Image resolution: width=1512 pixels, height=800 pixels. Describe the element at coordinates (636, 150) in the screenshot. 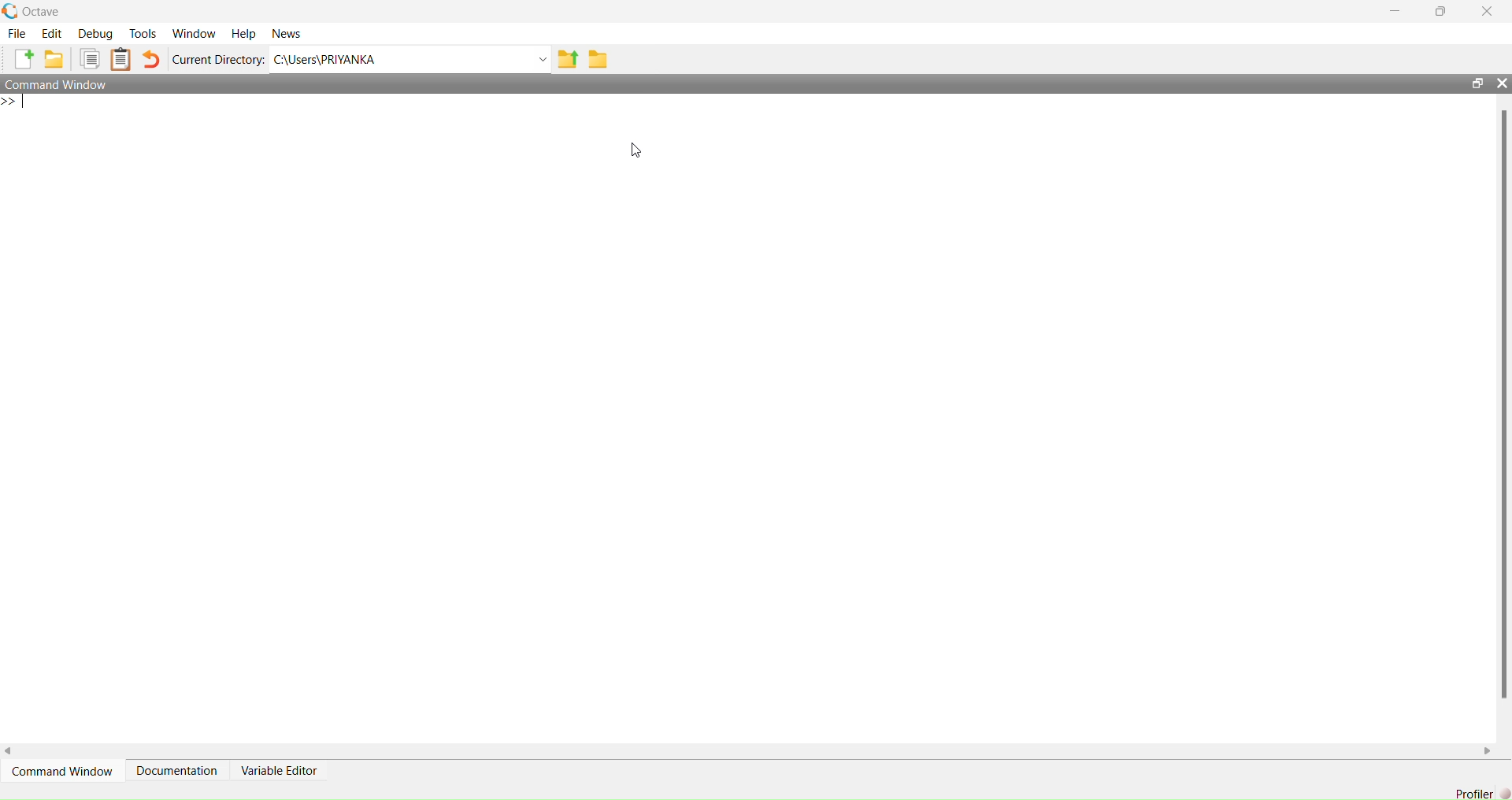

I see `cursor` at that location.